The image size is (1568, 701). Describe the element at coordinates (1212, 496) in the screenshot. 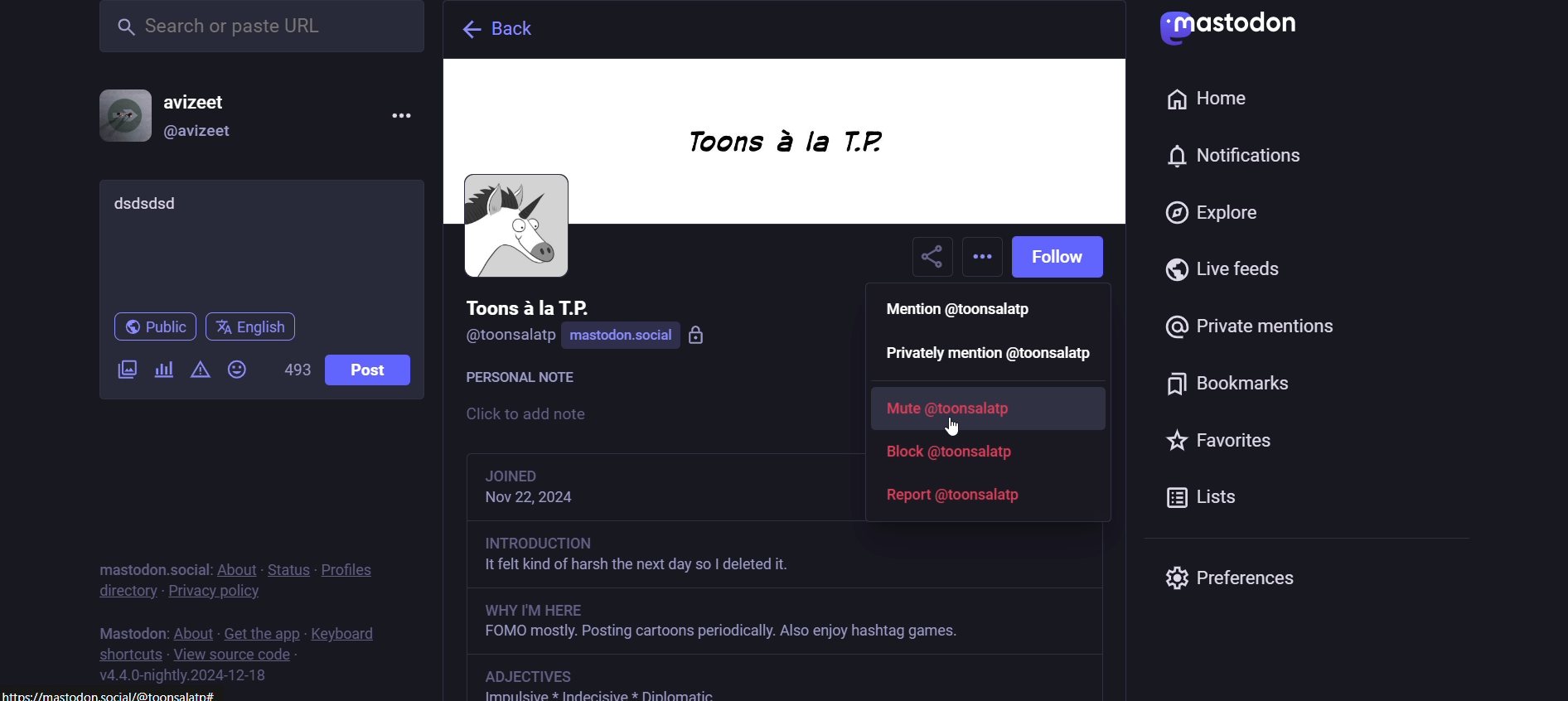

I see `lists` at that location.